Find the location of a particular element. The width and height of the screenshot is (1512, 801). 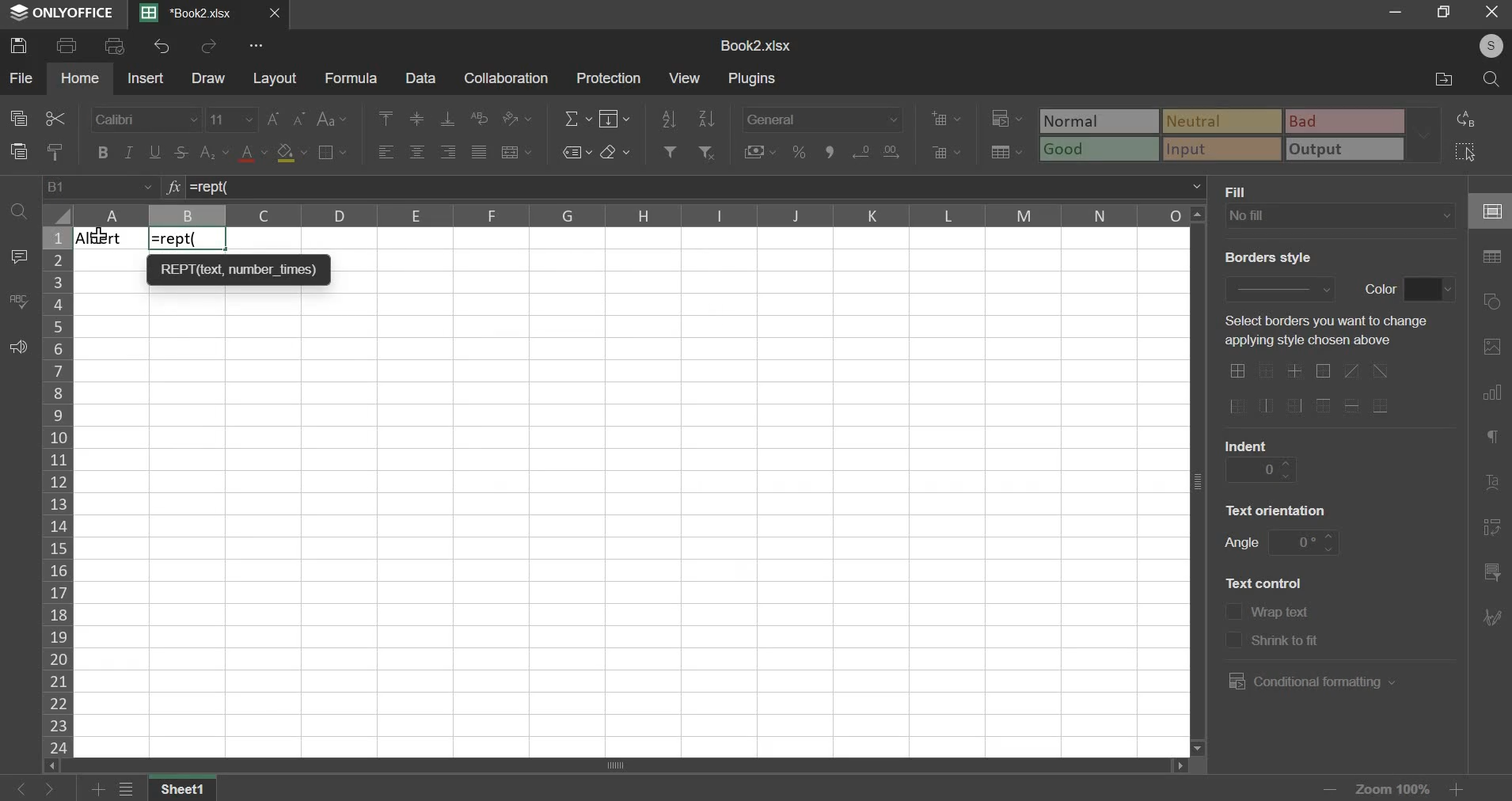

file location is located at coordinates (1434, 77).